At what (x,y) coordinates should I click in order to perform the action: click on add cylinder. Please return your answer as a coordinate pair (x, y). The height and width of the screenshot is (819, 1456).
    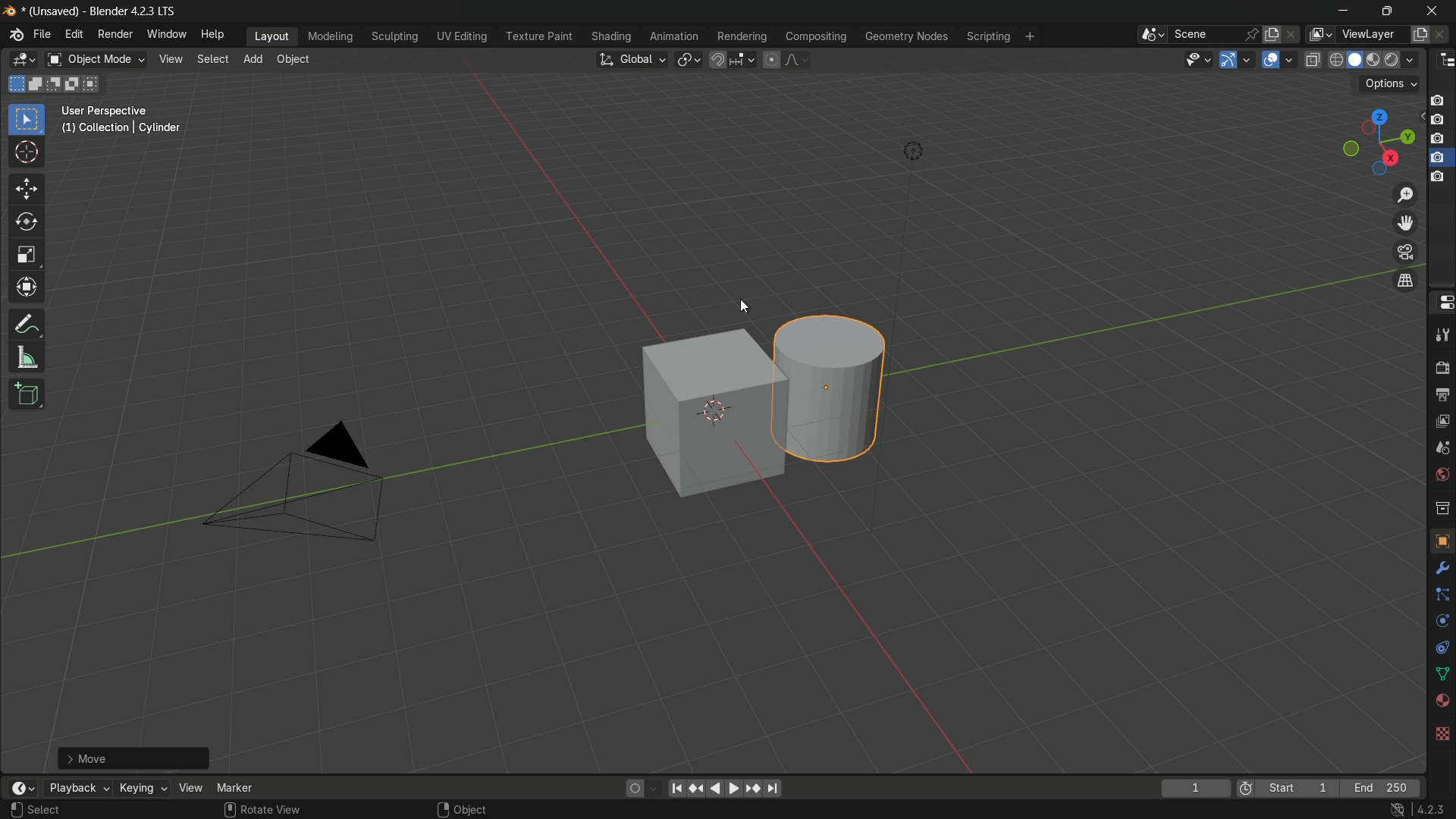
    Looking at the image, I should click on (136, 754).